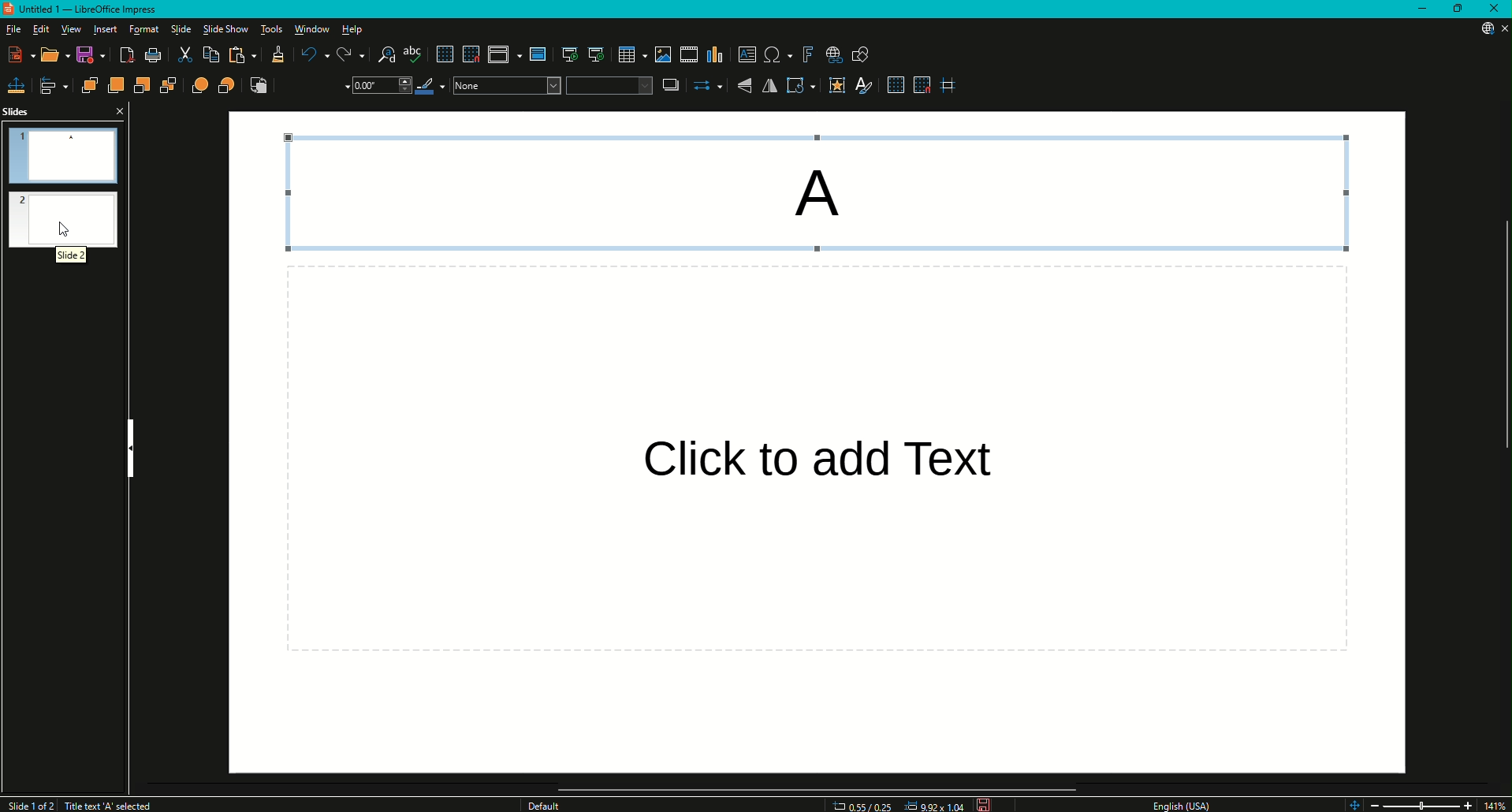 This screenshot has width=1512, height=812. Describe the element at coordinates (953, 86) in the screenshot. I see `Helplines While Moving` at that location.